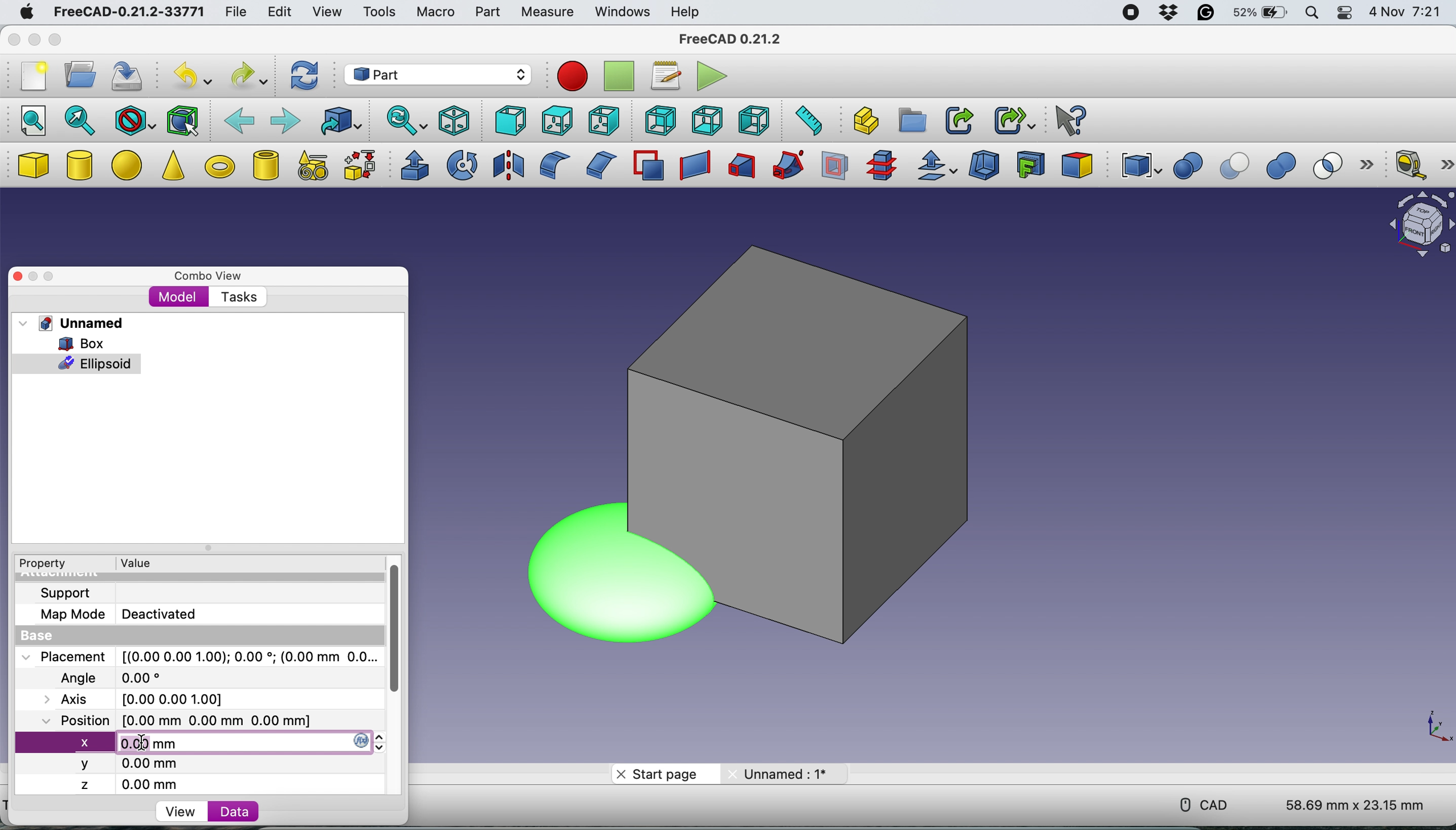 This screenshot has width=1456, height=830. I want to click on macro, so click(435, 13).